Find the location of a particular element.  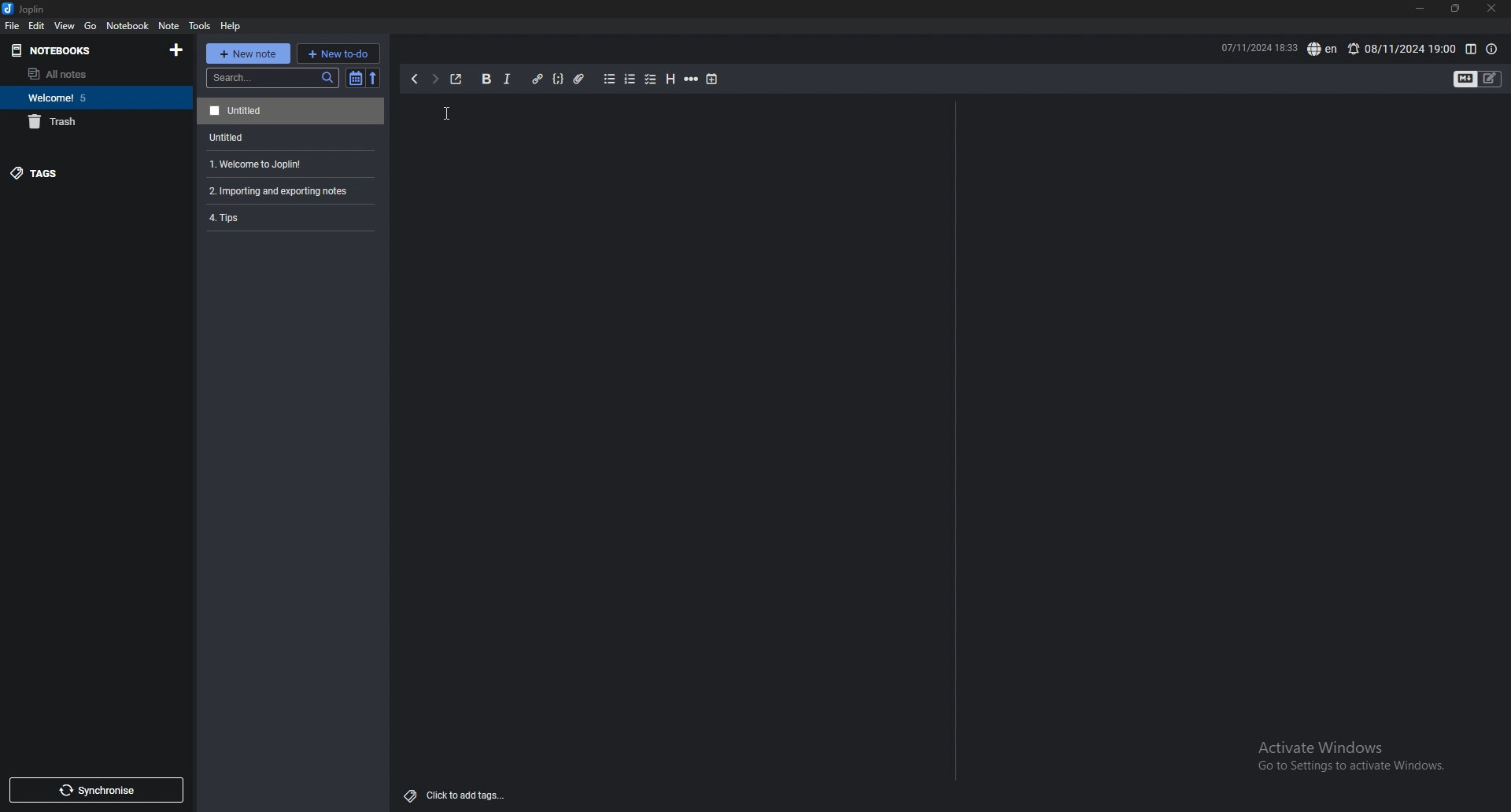

heading is located at coordinates (671, 79).